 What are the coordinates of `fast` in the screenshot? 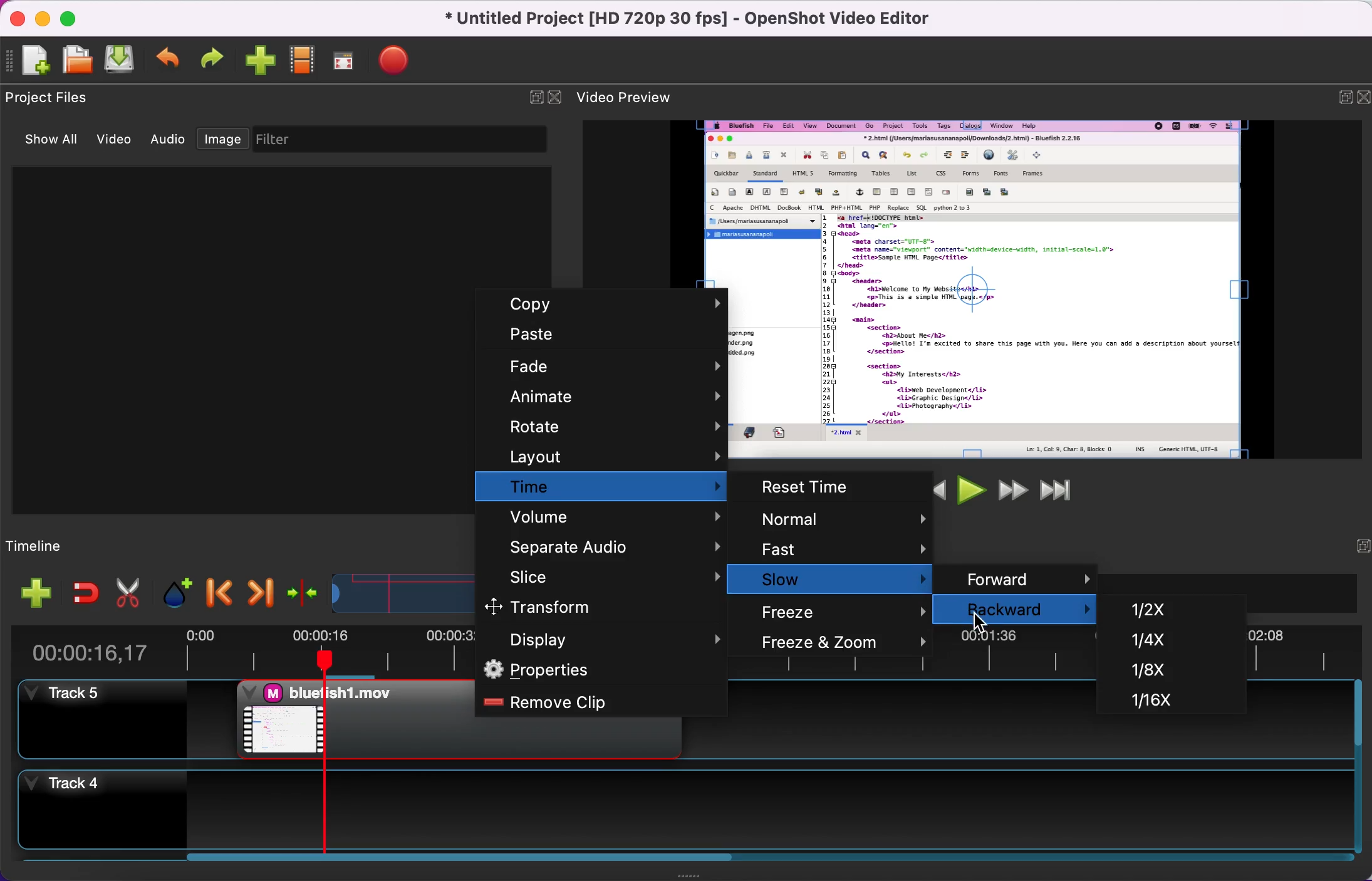 It's located at (839, 550).